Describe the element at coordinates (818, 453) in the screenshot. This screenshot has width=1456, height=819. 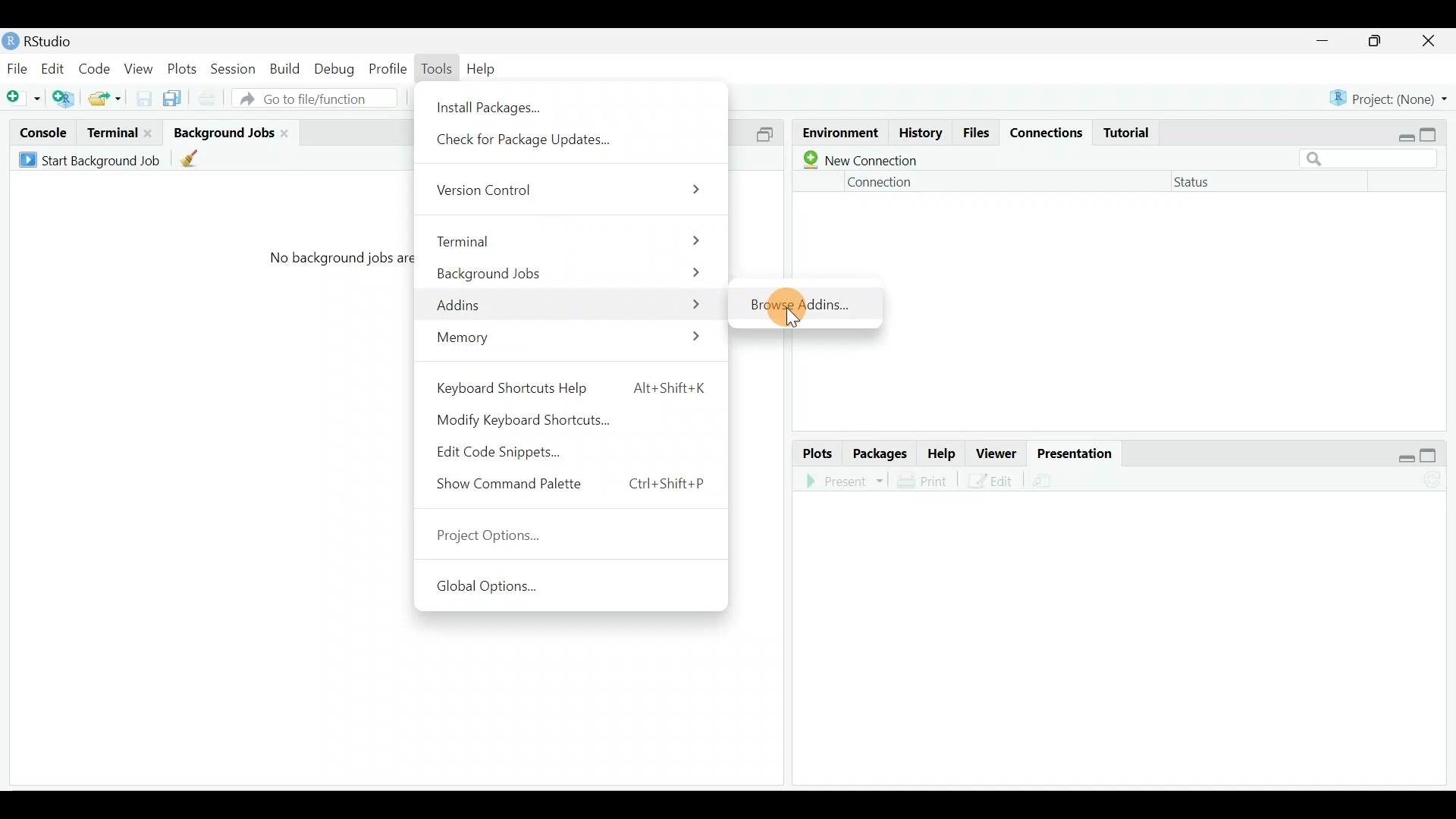
I see `Plots` at that location.